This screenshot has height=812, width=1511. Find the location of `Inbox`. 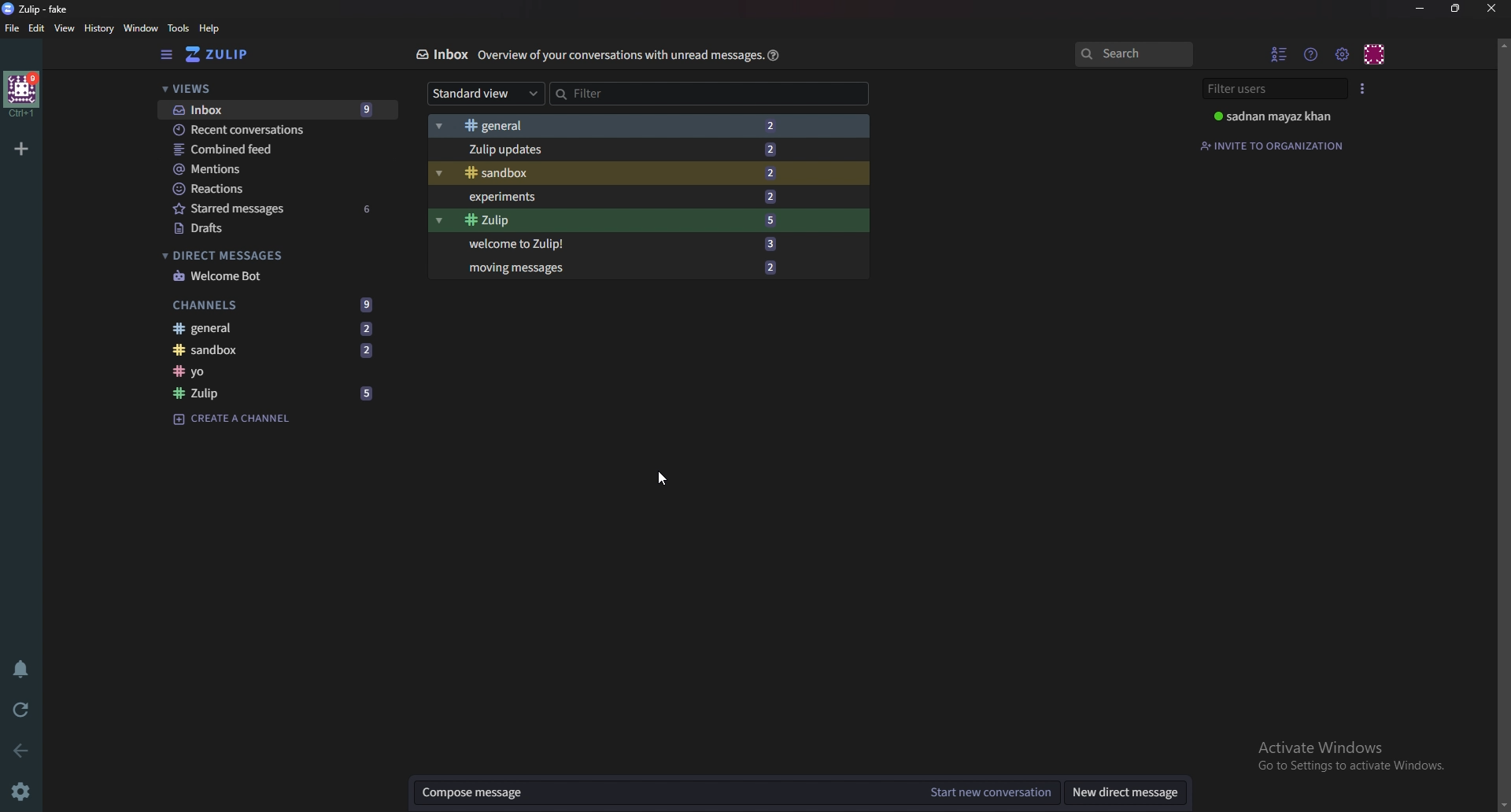

Inbox is located at coordinates (443, 54).